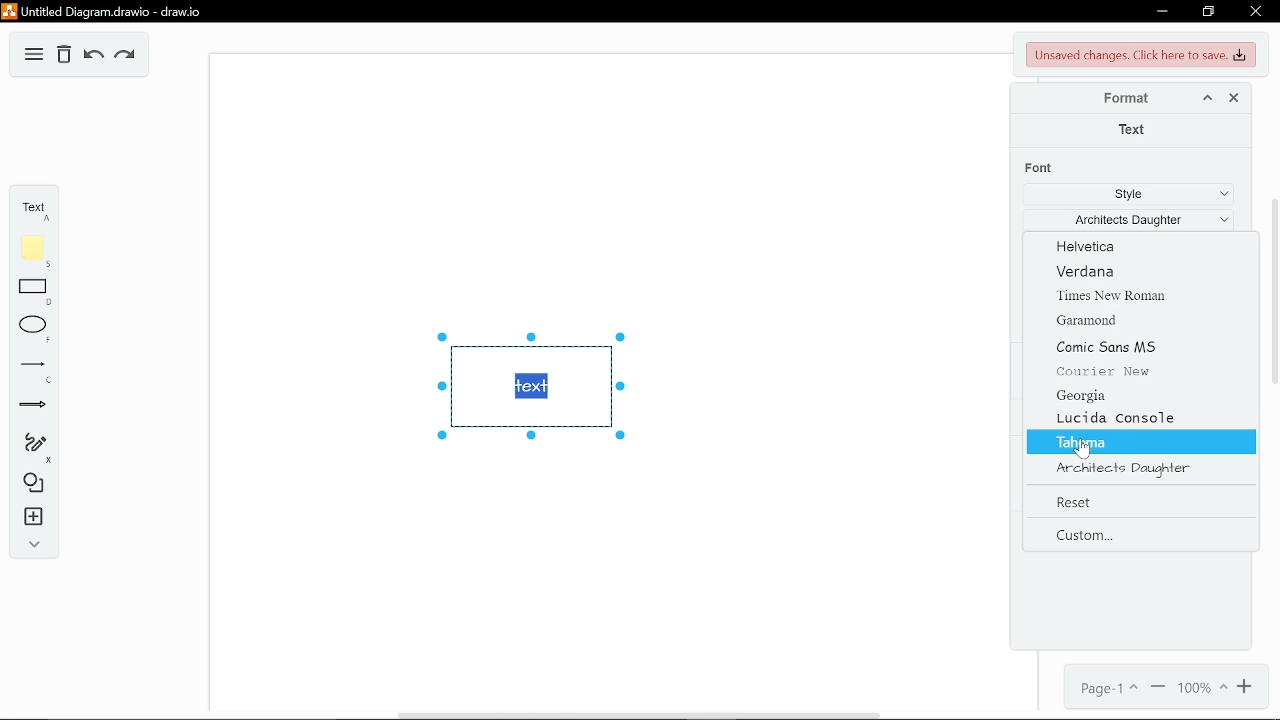 The height and width of the screenshot is (720, 1280). I want to click on zoom in, so click(1247, 689).